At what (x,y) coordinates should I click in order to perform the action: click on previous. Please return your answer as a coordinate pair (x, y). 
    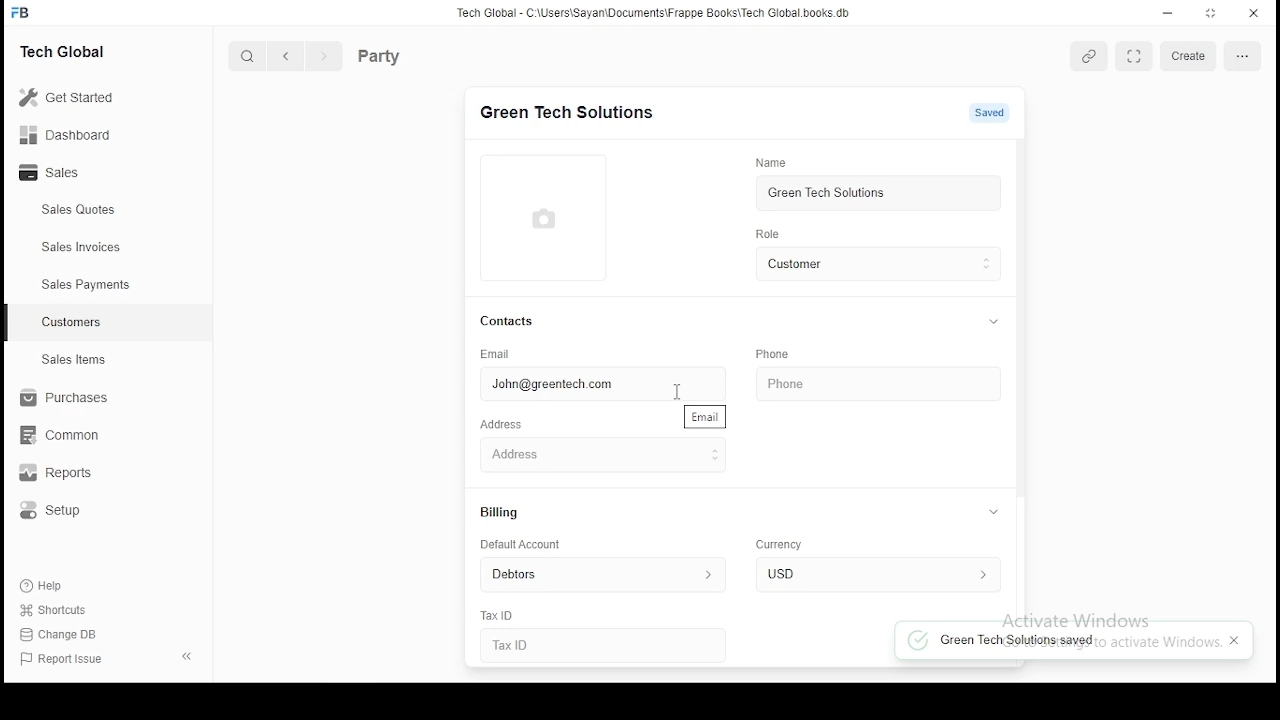
    Looking at the image, I should click on (286, 56).